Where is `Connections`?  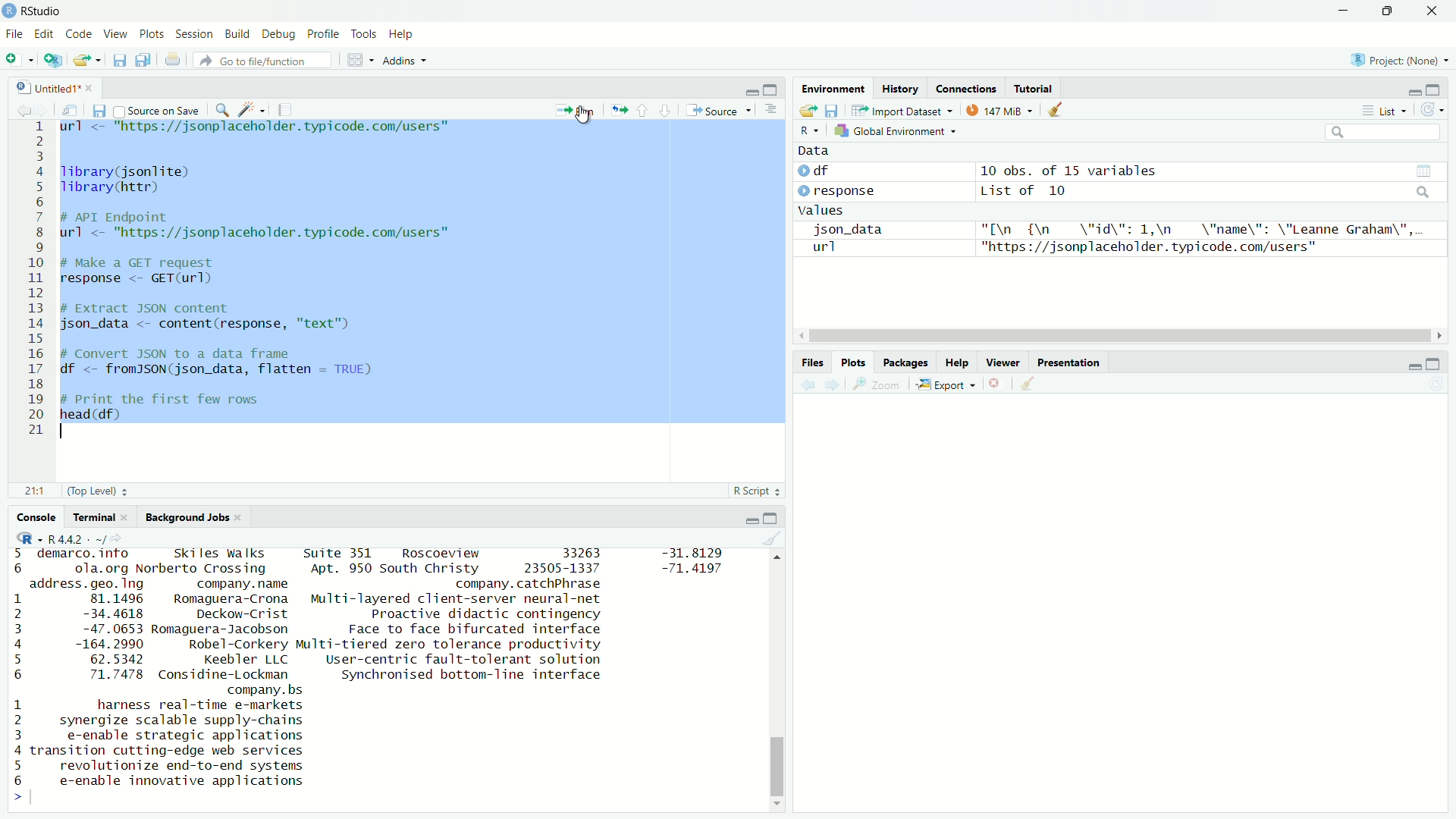
Connections is located at coordinates (965, 89).